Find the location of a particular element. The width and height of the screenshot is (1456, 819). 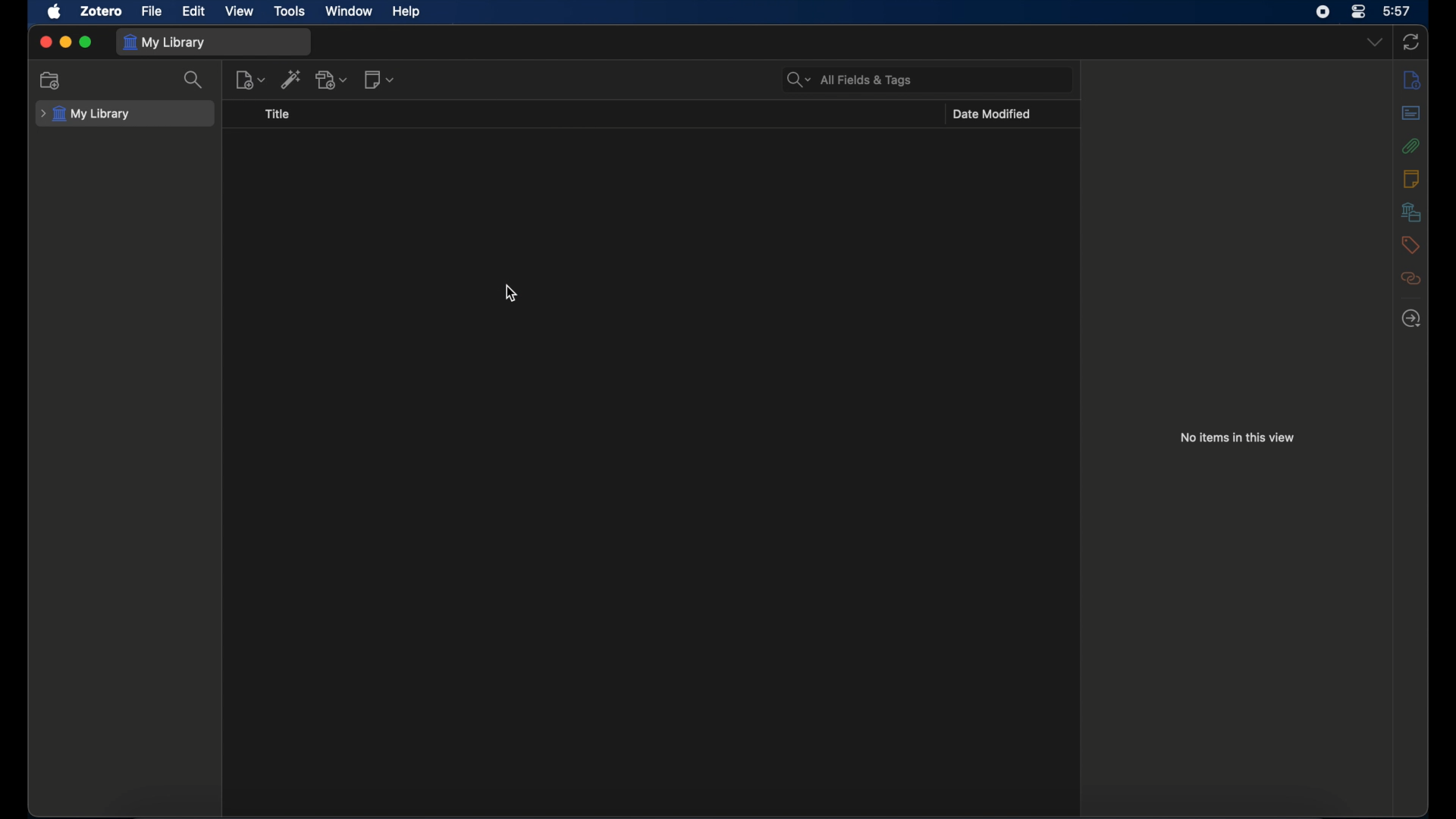

control center is located at coordinates (1357, 11).